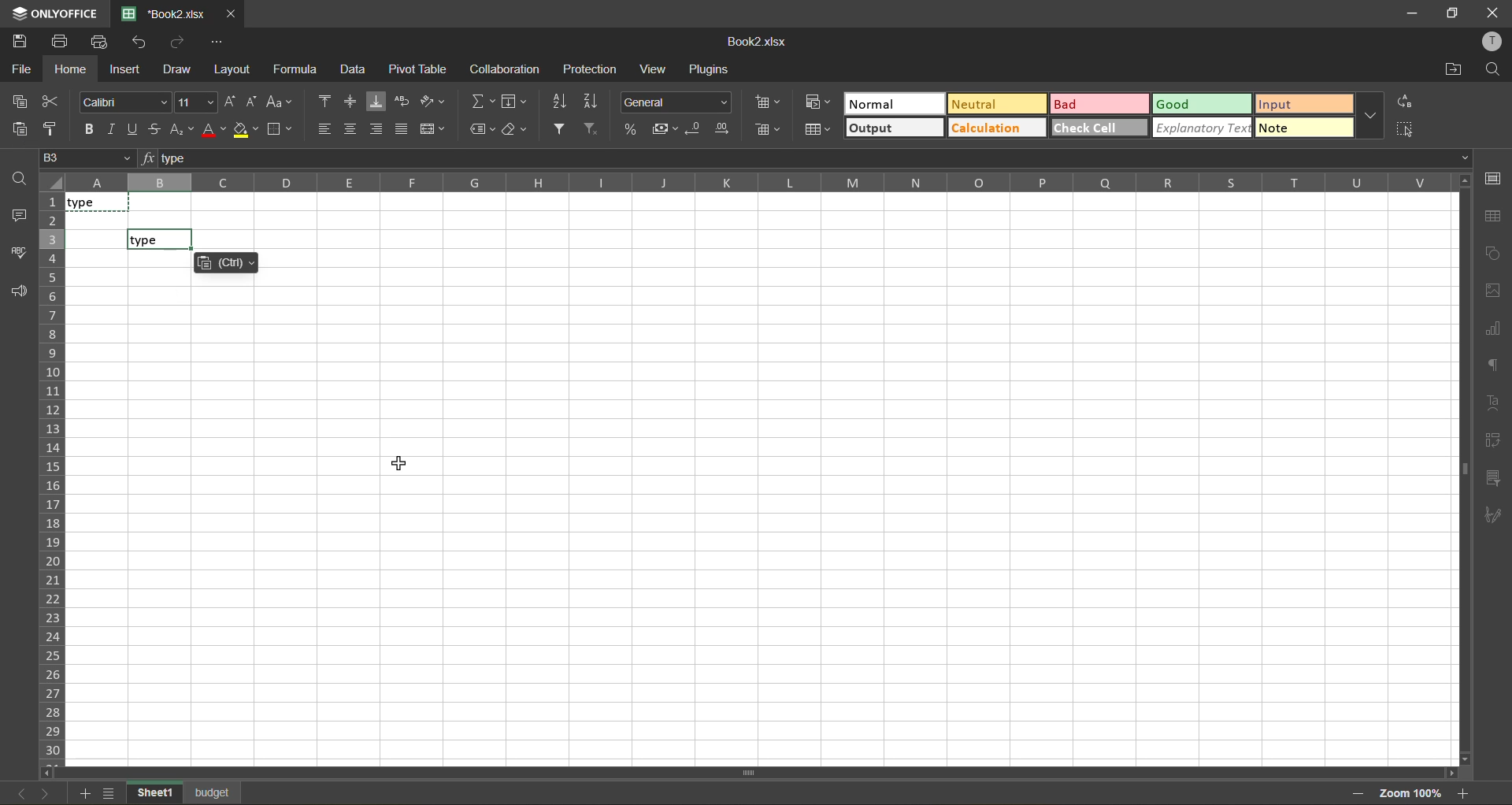  I want to click on input, so click(1304, 103).